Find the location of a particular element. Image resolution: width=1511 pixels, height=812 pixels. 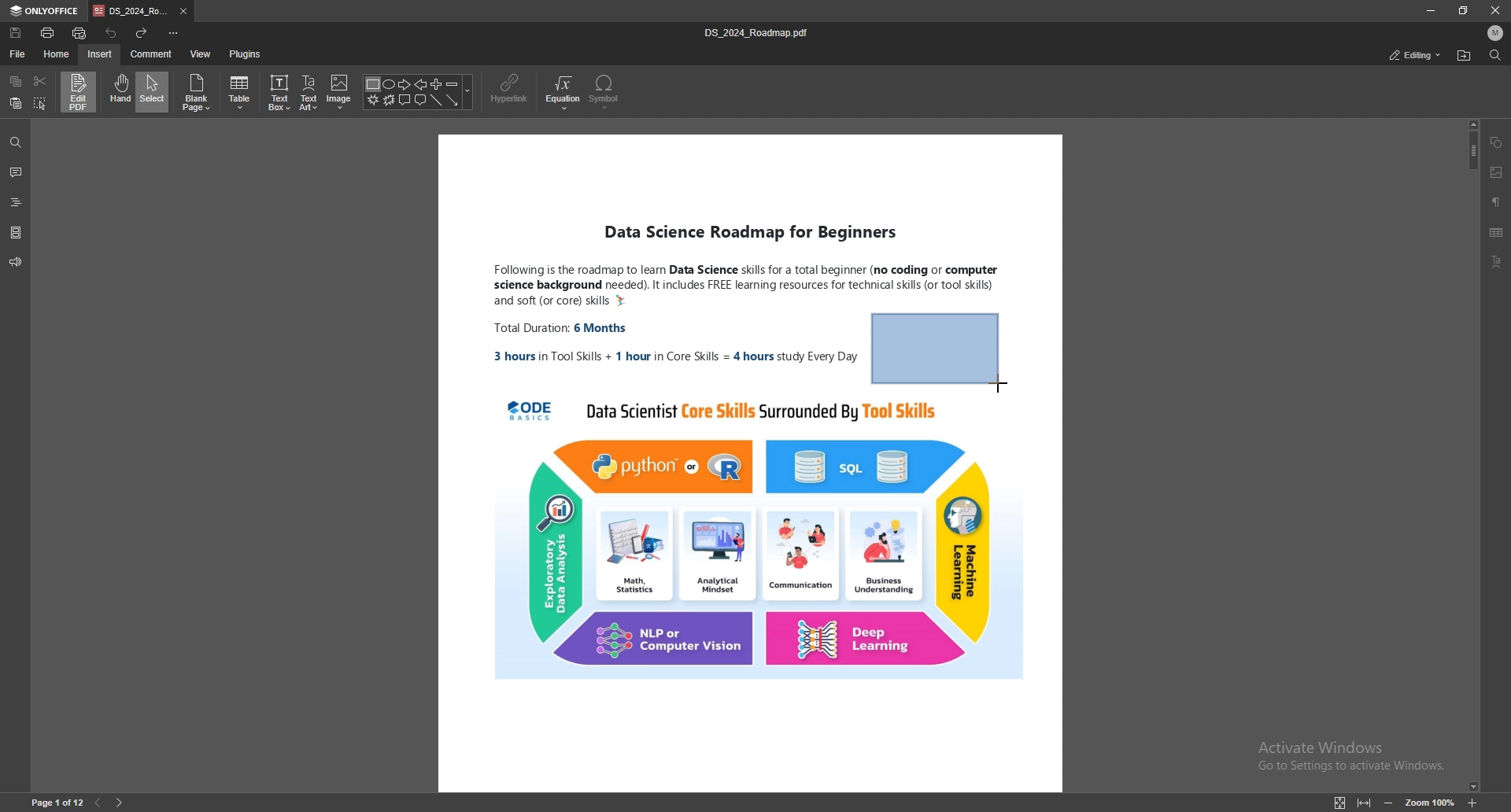

minimize is located at coordinates (1429, 10).